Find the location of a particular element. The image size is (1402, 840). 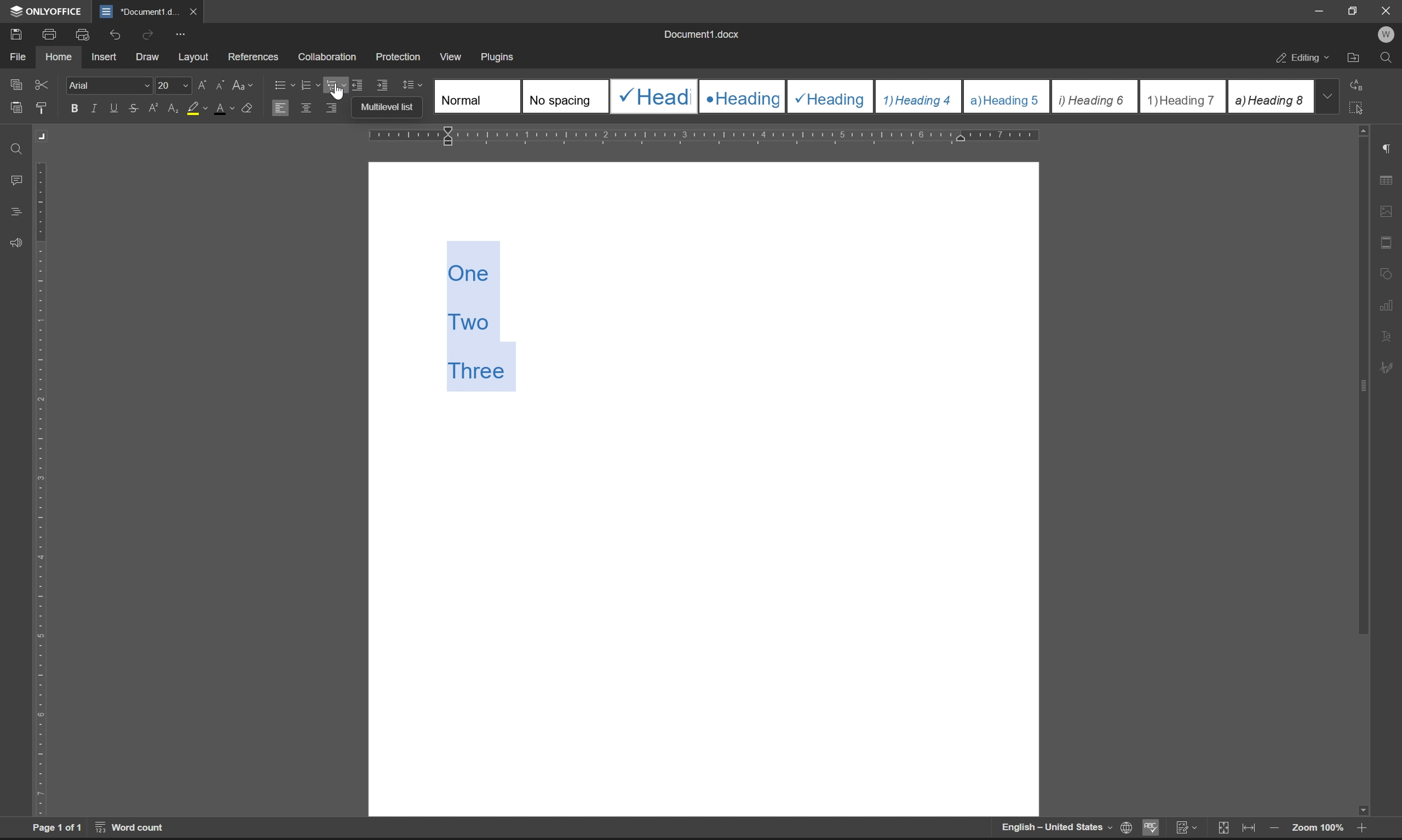

restore down is located at coordinates (1356, 10).